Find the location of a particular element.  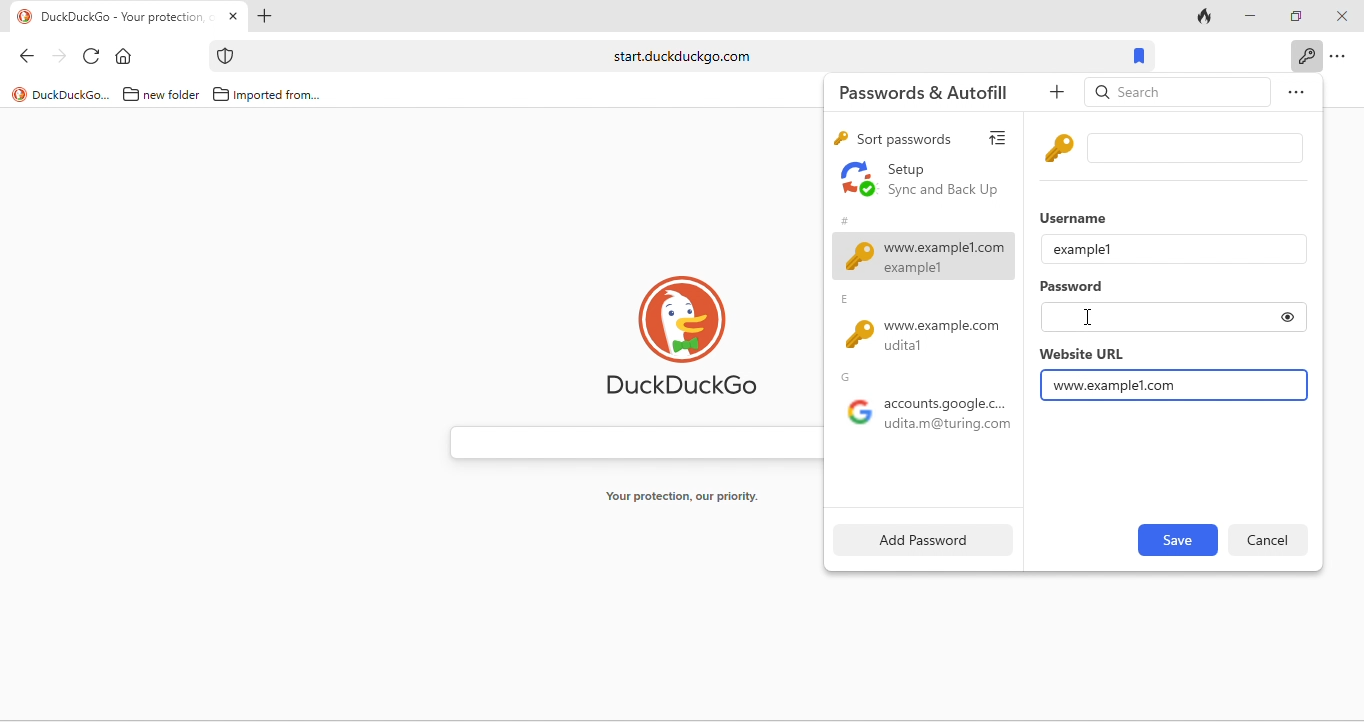

cursor is located at coordinates (1087, 317).